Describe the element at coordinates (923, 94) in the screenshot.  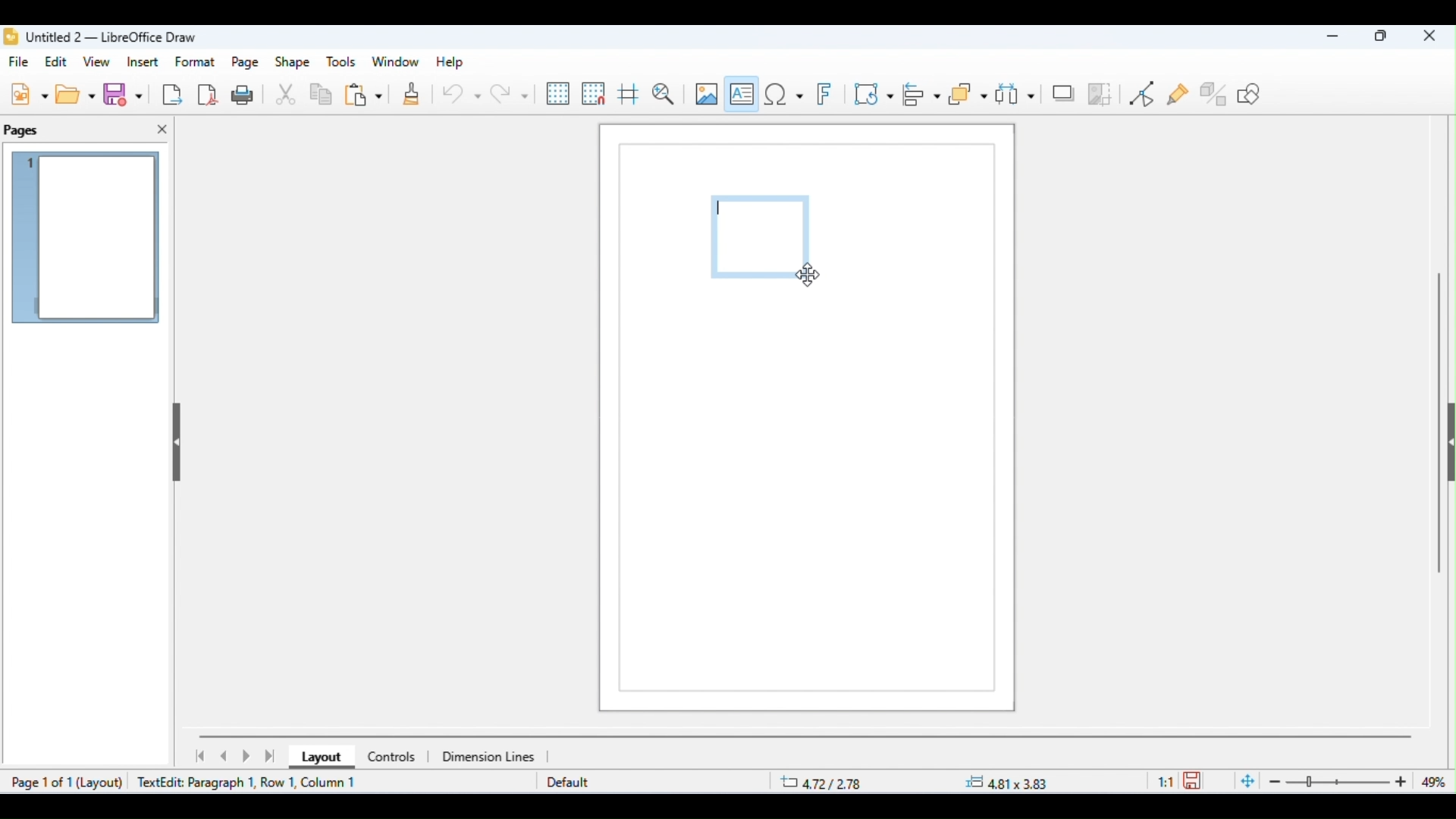
I see `align objects` at that location.